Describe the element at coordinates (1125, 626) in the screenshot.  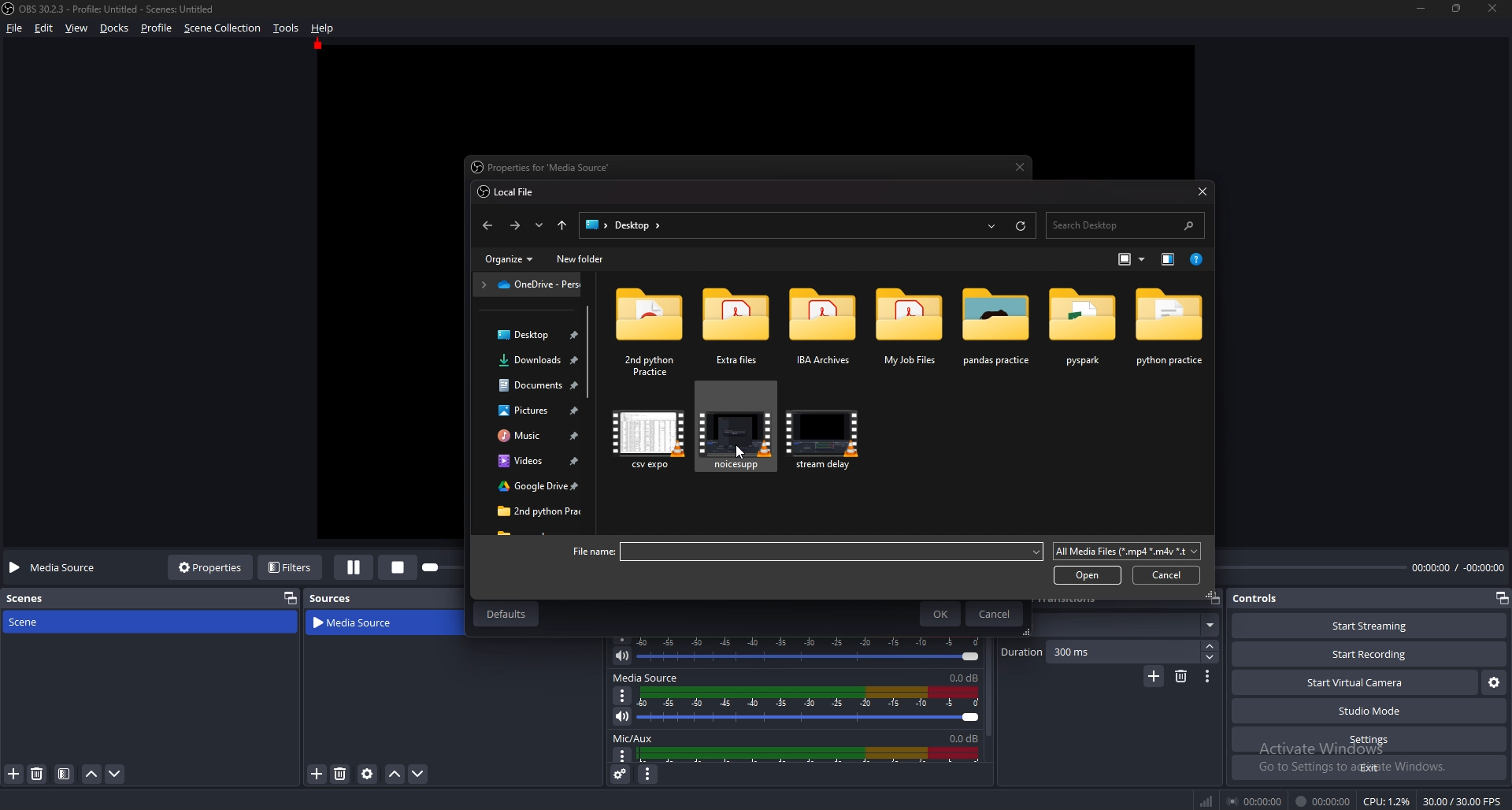
I see `fade` at that location.